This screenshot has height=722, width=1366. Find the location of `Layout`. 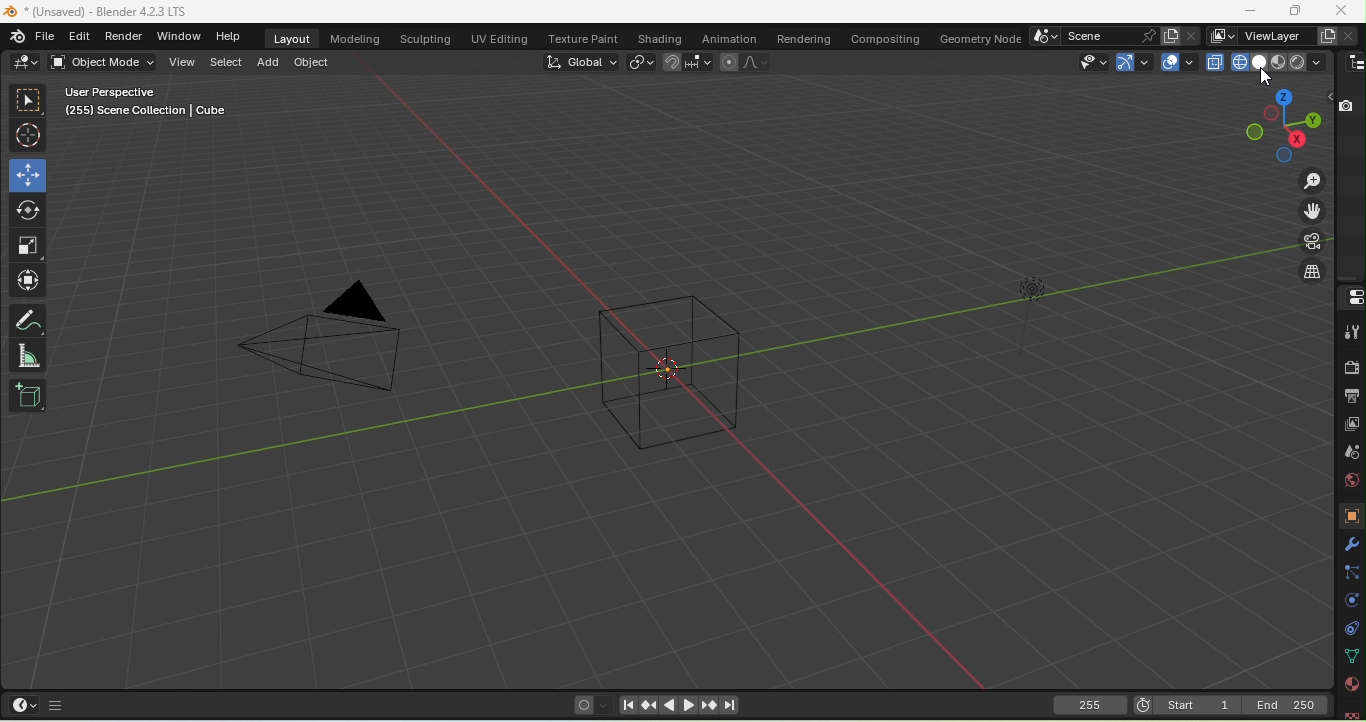

Layout is located at coordinates (295, 38).